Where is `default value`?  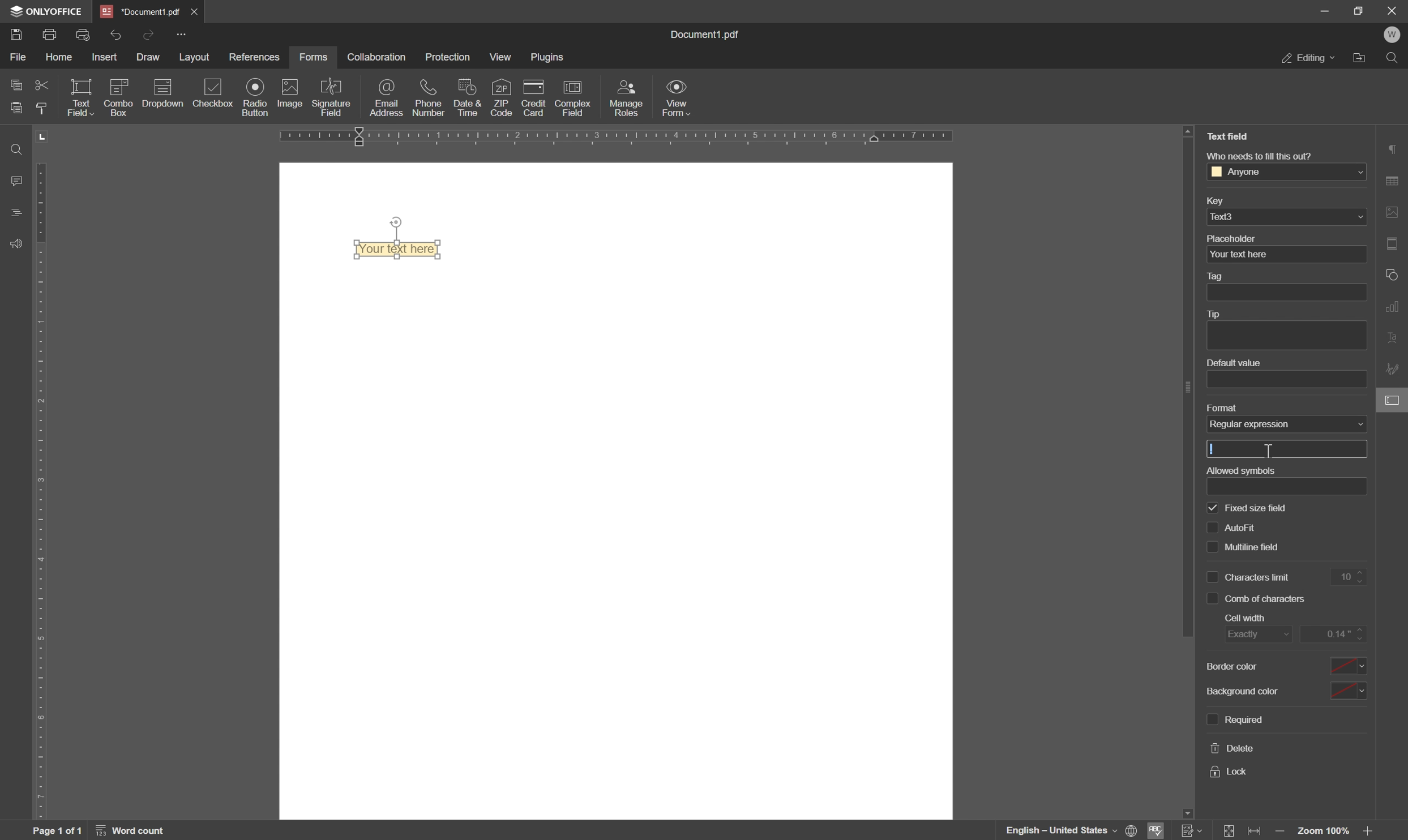 default value is located at coordinates (1231, 363).